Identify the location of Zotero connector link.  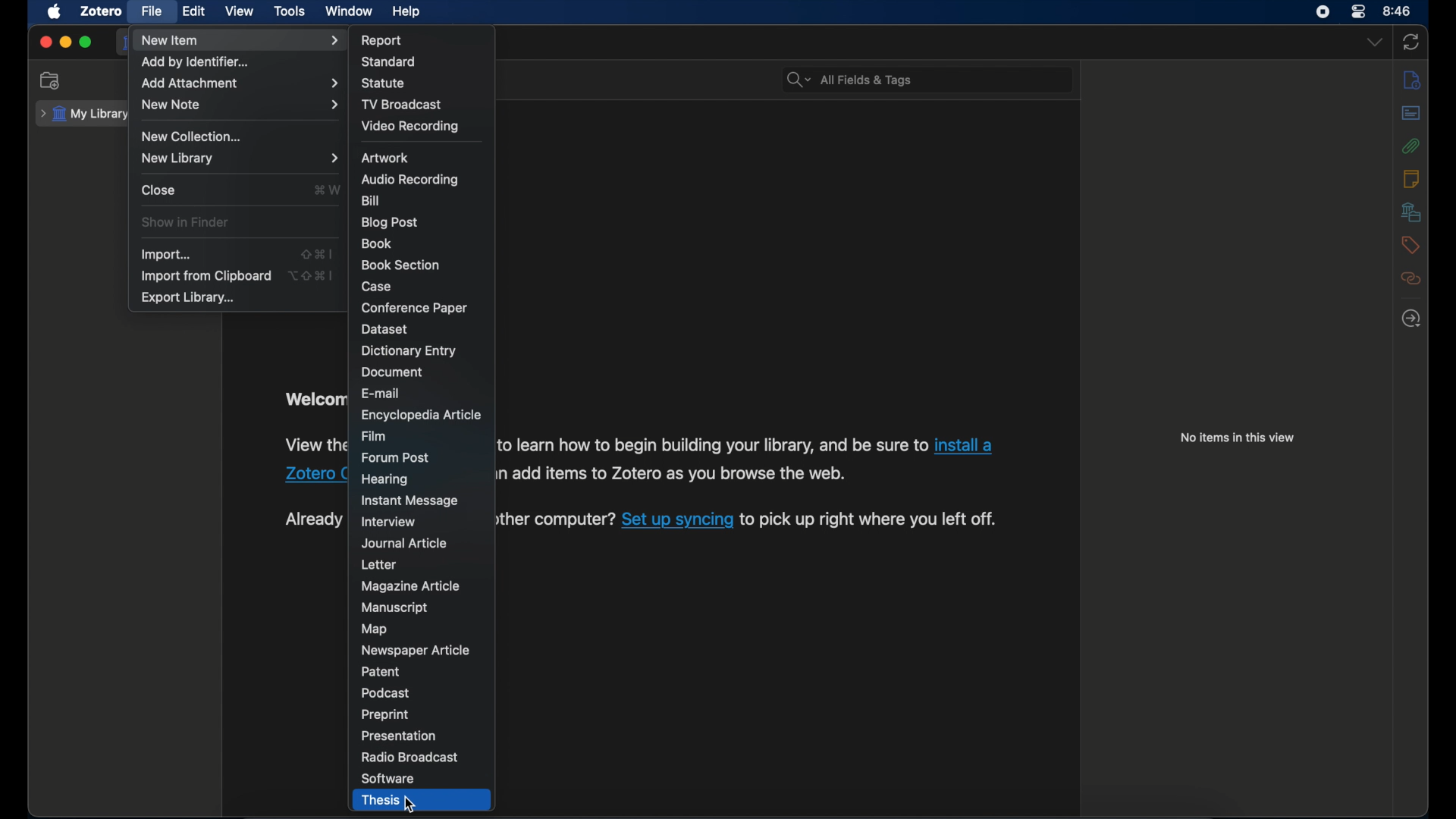
(968, 444).